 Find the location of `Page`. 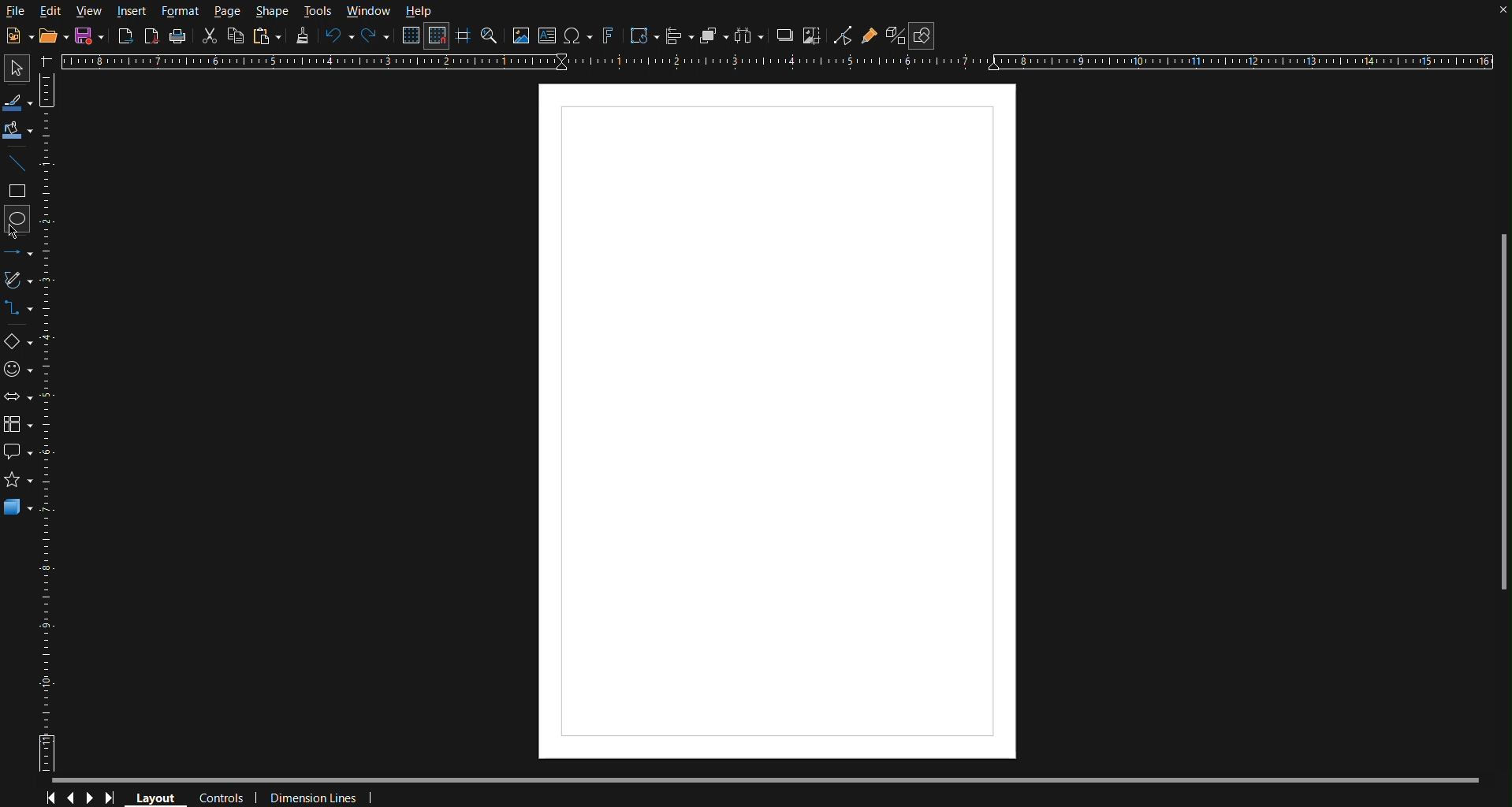

Page is located at coordinates (229, 11).